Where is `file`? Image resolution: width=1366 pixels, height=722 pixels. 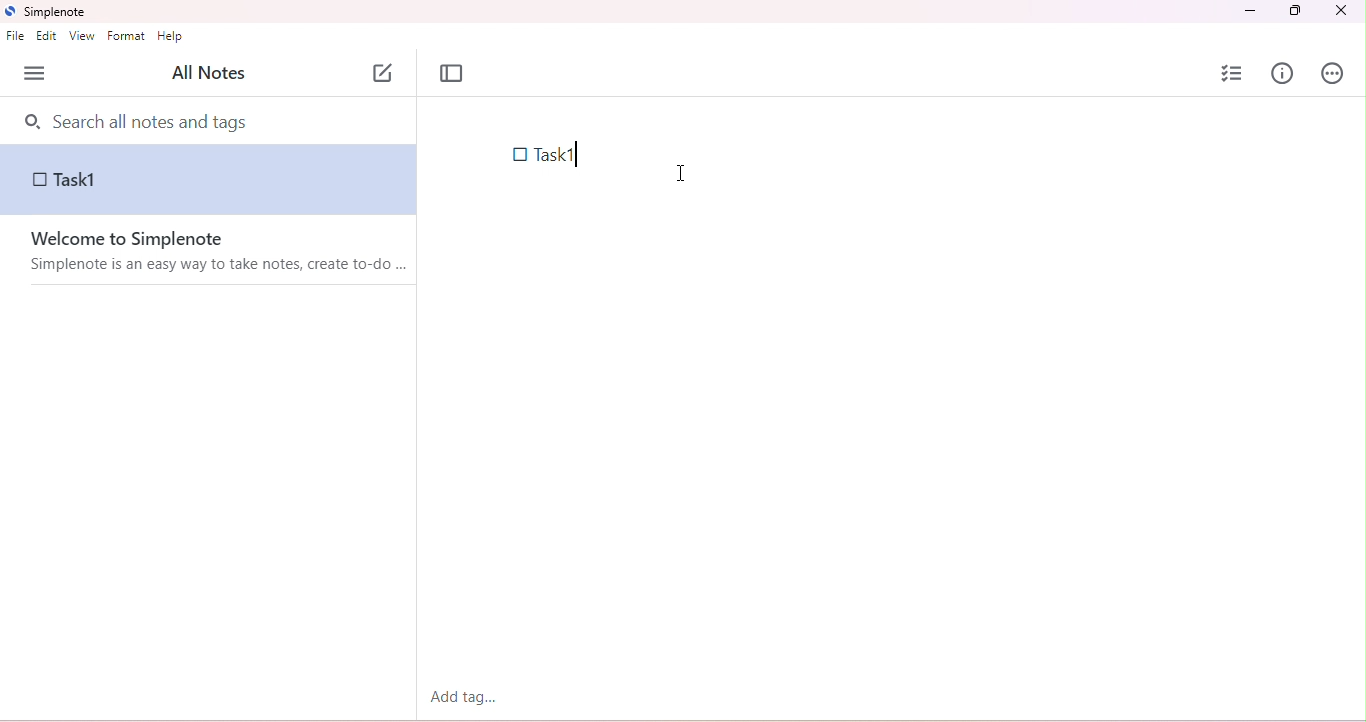 file is located at coordinates (15, 37).